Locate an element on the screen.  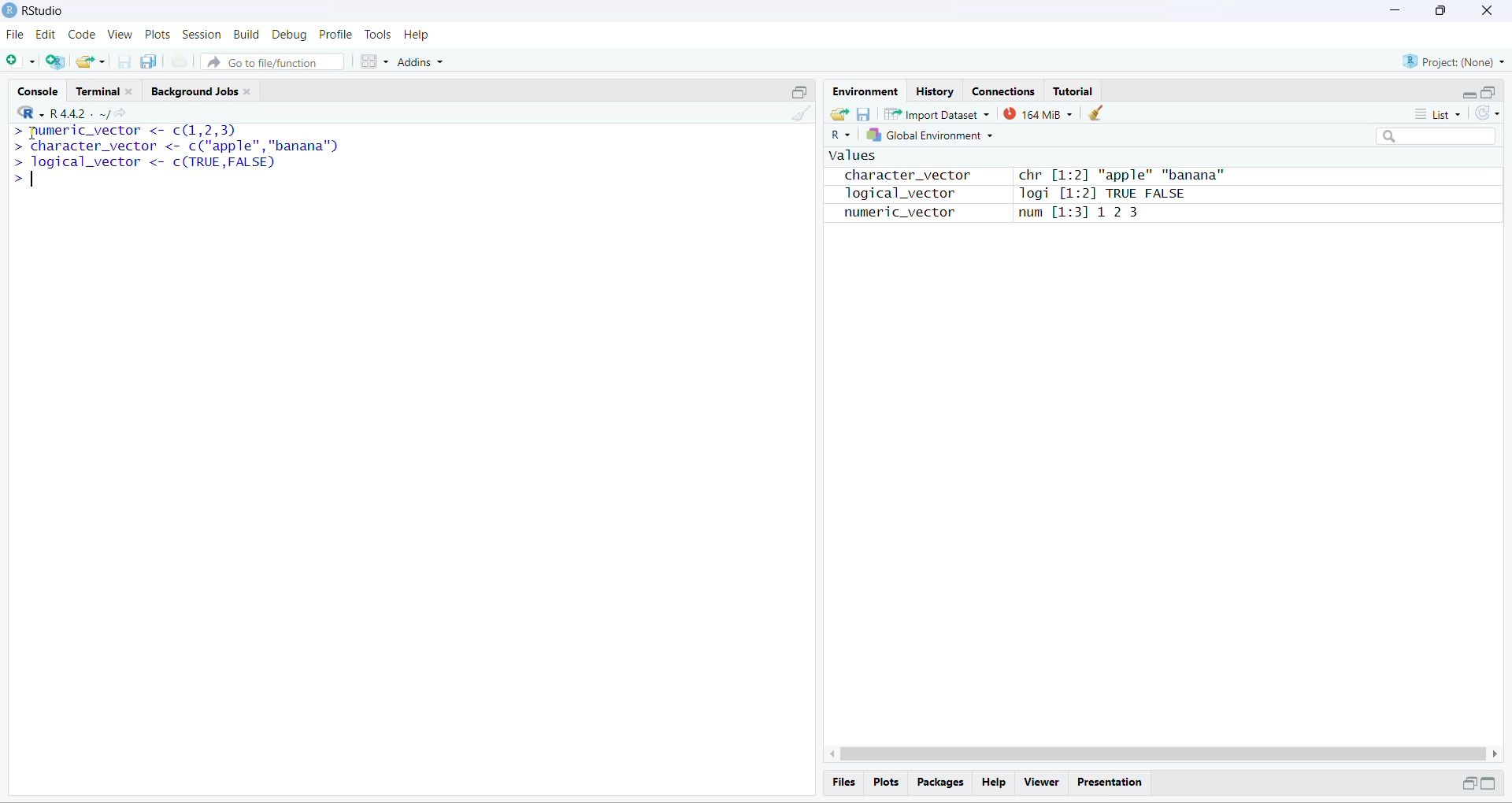
Profile is located at coordinates (335, 35).